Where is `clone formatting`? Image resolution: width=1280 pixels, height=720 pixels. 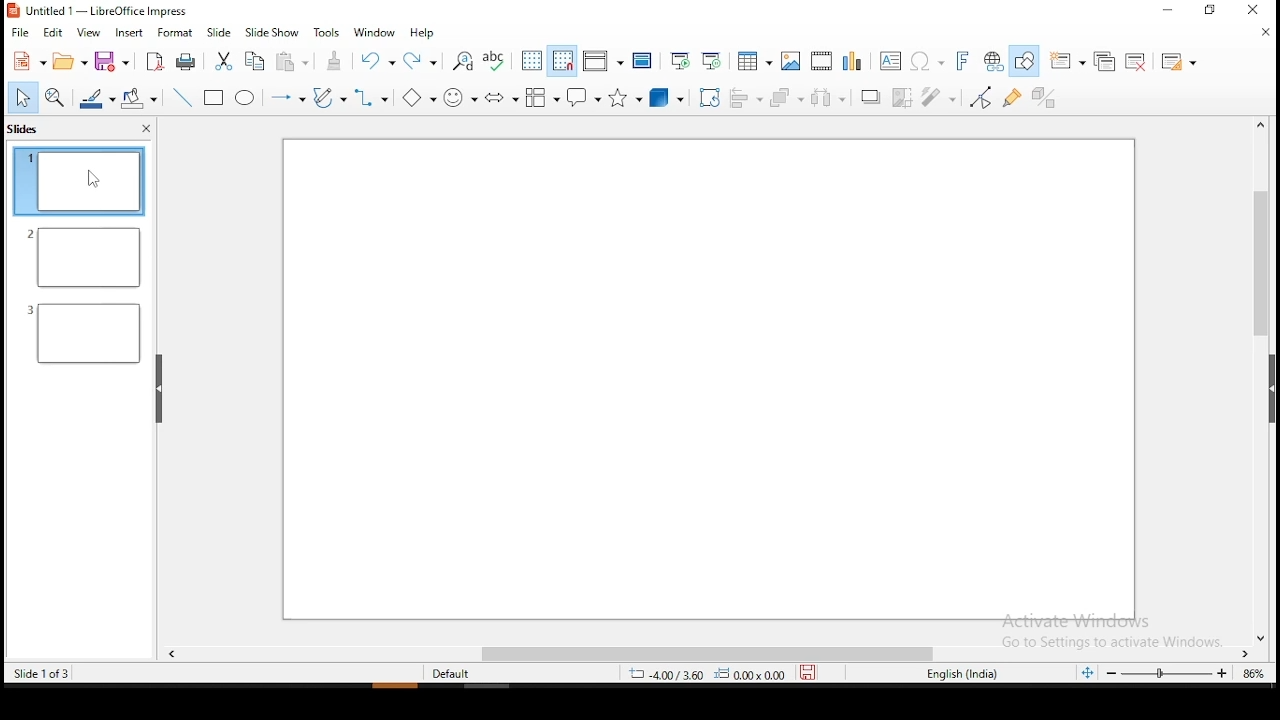
clone formatting is located at coordinates (335, 63).